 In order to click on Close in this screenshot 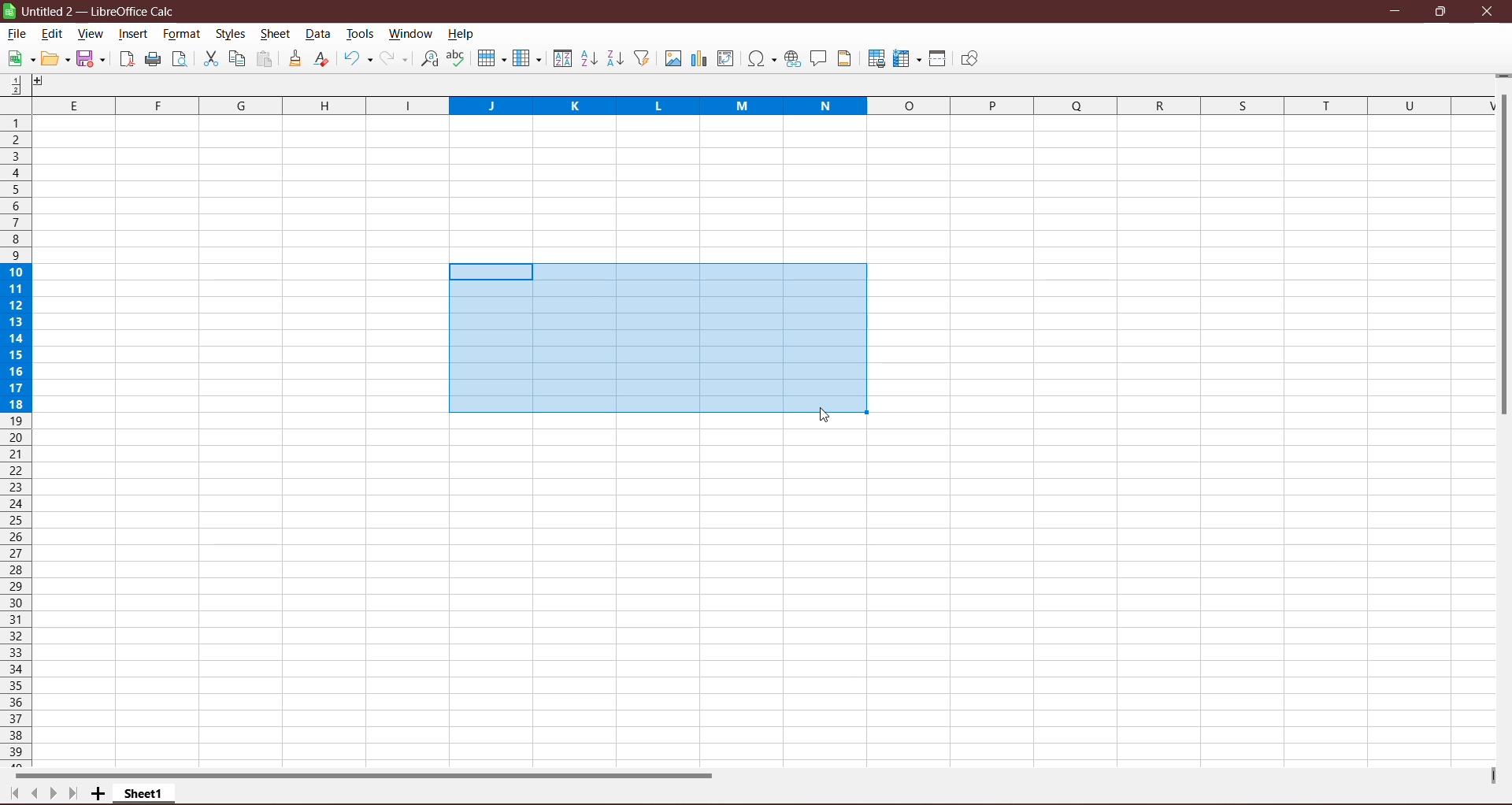, I will do `click(1488, 12)`.